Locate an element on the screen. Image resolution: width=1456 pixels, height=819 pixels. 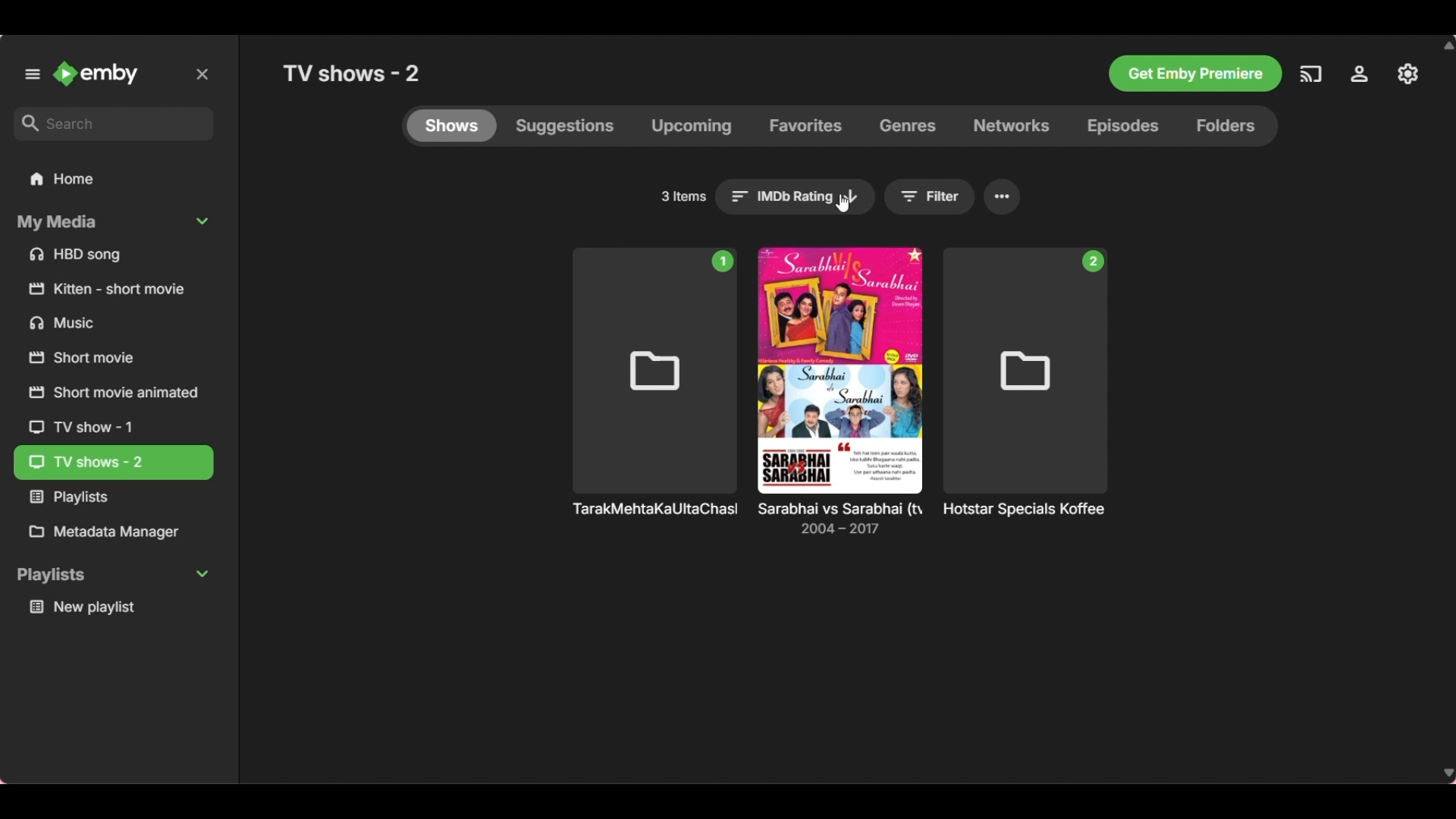
Collapse Playlists is located at coordinates (111, 576).